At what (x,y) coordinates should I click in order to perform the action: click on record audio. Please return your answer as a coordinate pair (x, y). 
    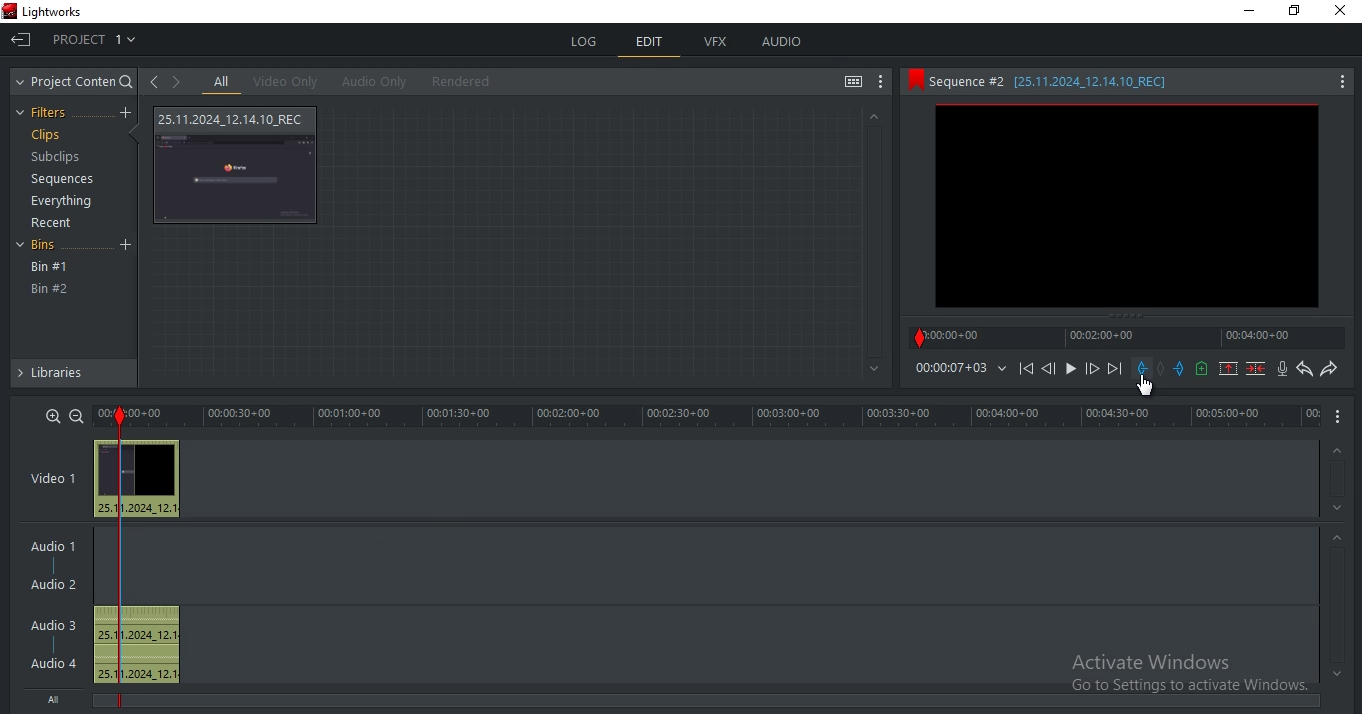
    Looking at the image, I should click on (1282, 369).